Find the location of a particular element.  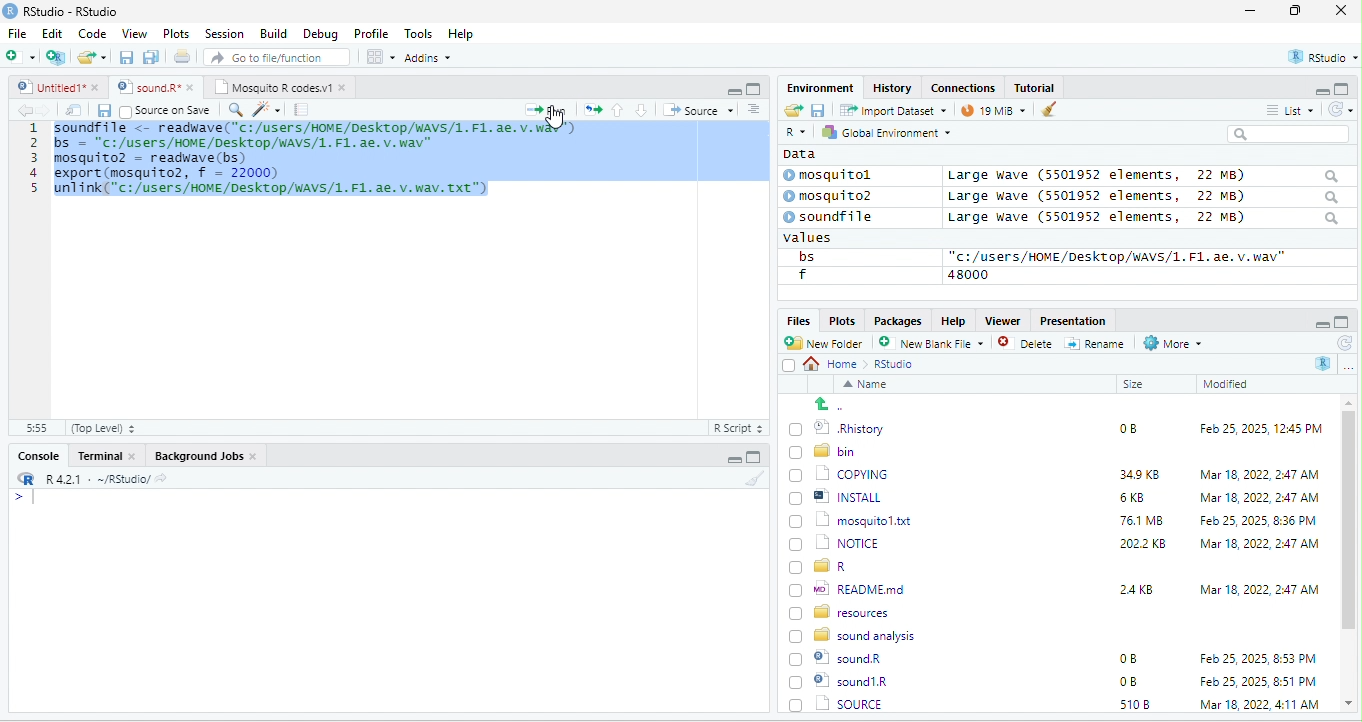

new is located at coordinates (20, 55).